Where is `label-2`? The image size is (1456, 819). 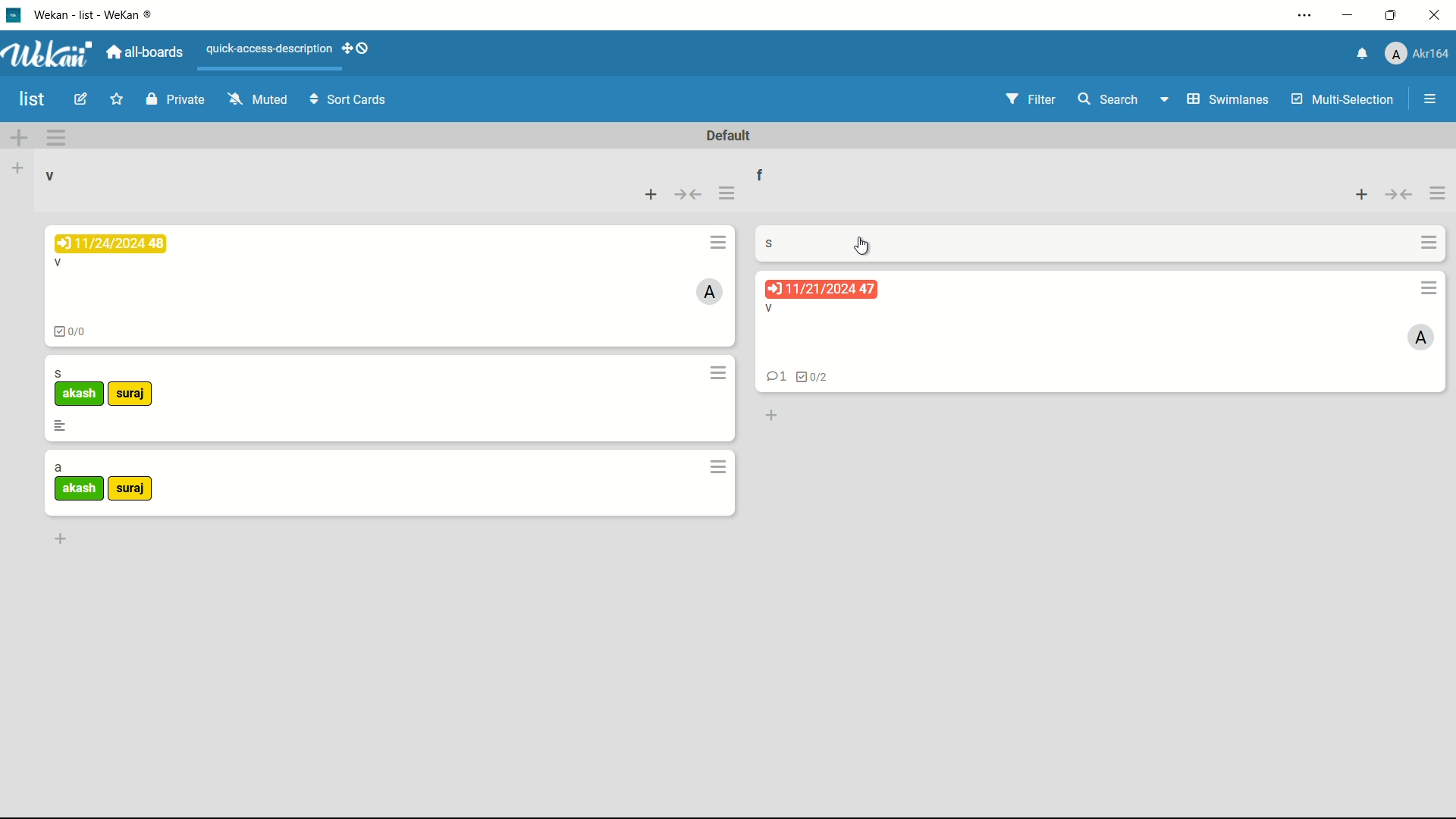
label-2 is located at coordinates (130, 490).